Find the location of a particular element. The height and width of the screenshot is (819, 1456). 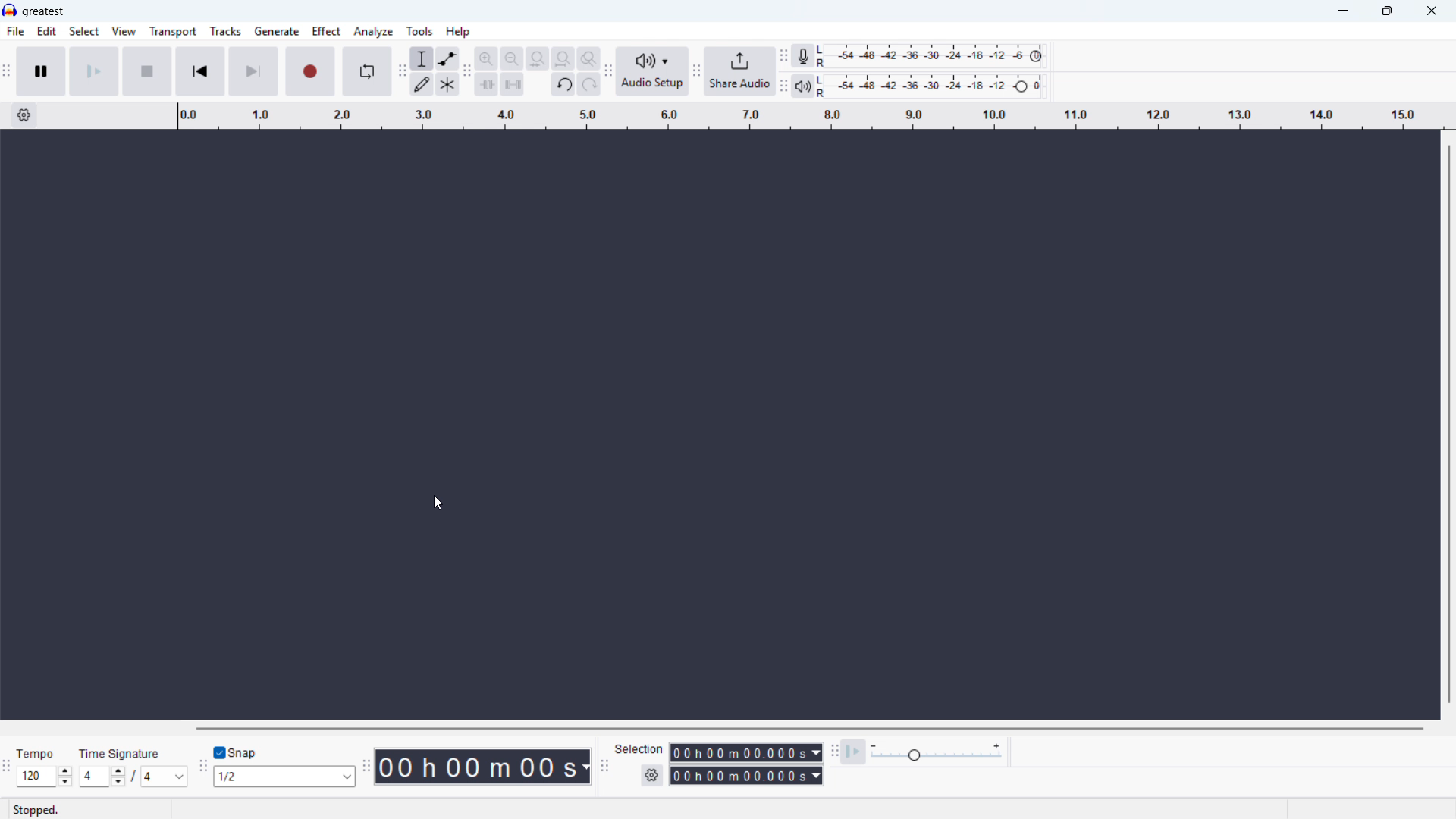

Audio setup  is located at coordinates (653, 72).